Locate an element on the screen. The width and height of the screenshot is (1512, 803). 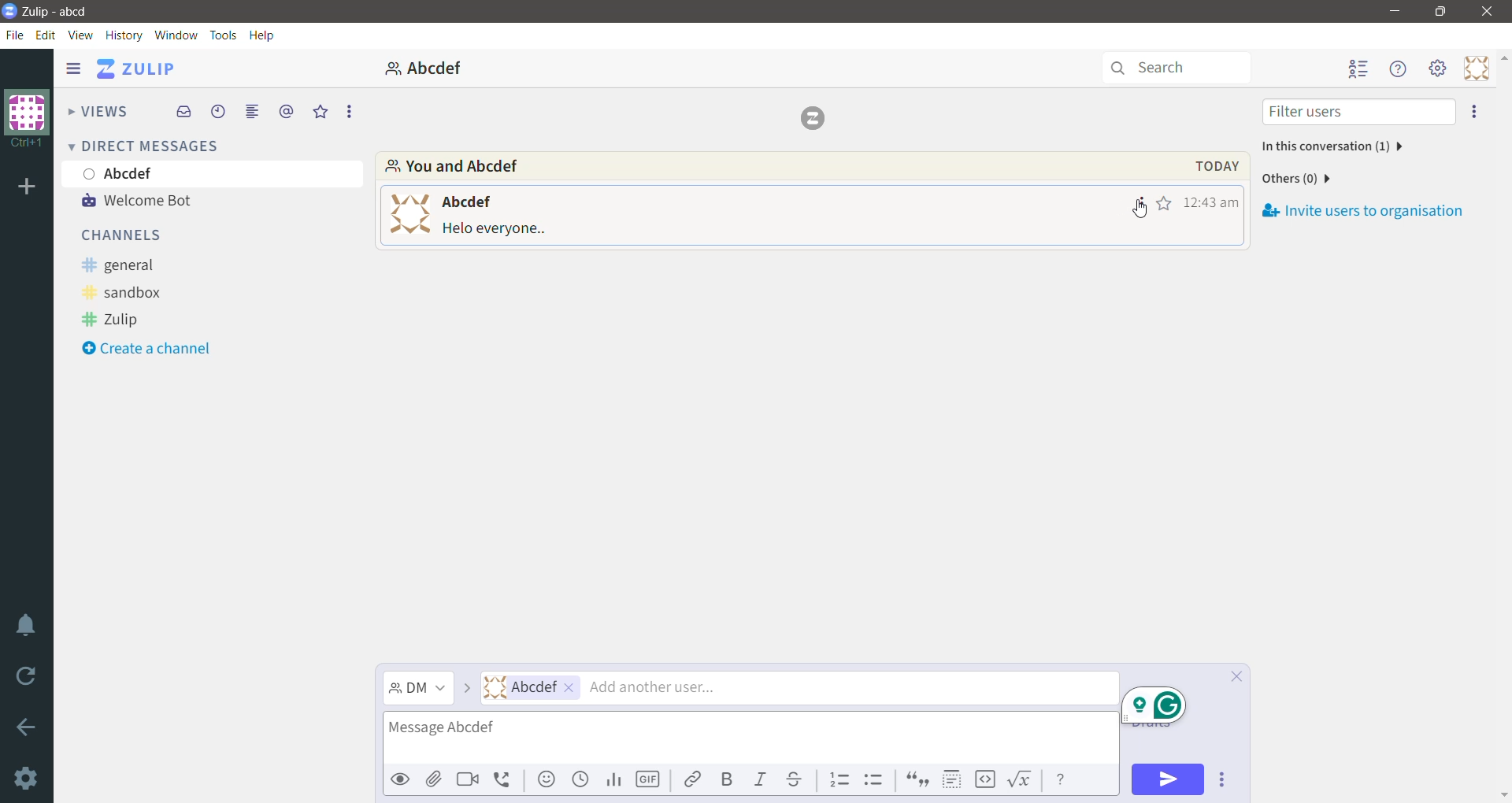
Search is located at coordinates (1176, 68).